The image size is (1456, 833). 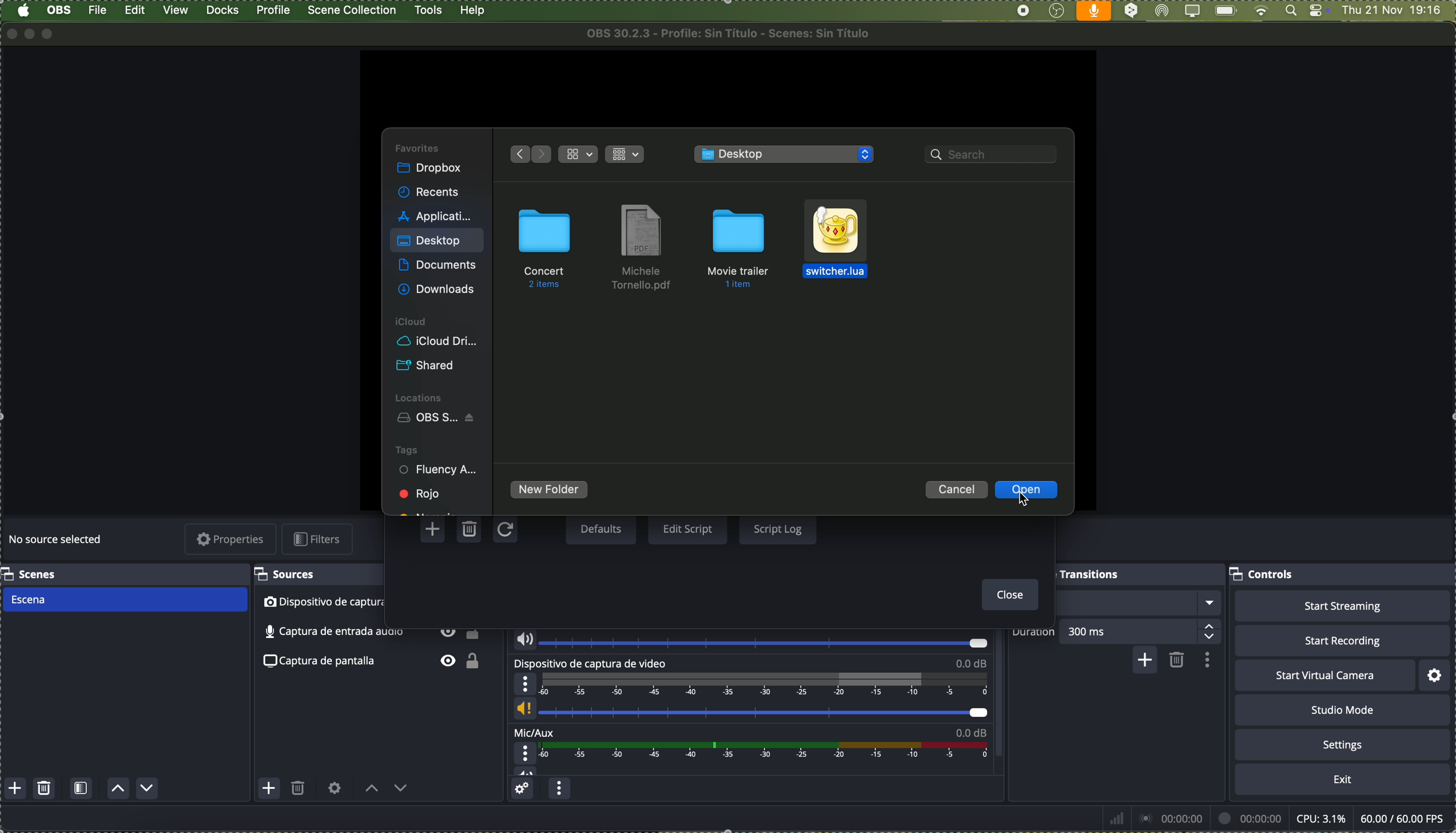 I want to click on profile, so click(x=272, y=10).